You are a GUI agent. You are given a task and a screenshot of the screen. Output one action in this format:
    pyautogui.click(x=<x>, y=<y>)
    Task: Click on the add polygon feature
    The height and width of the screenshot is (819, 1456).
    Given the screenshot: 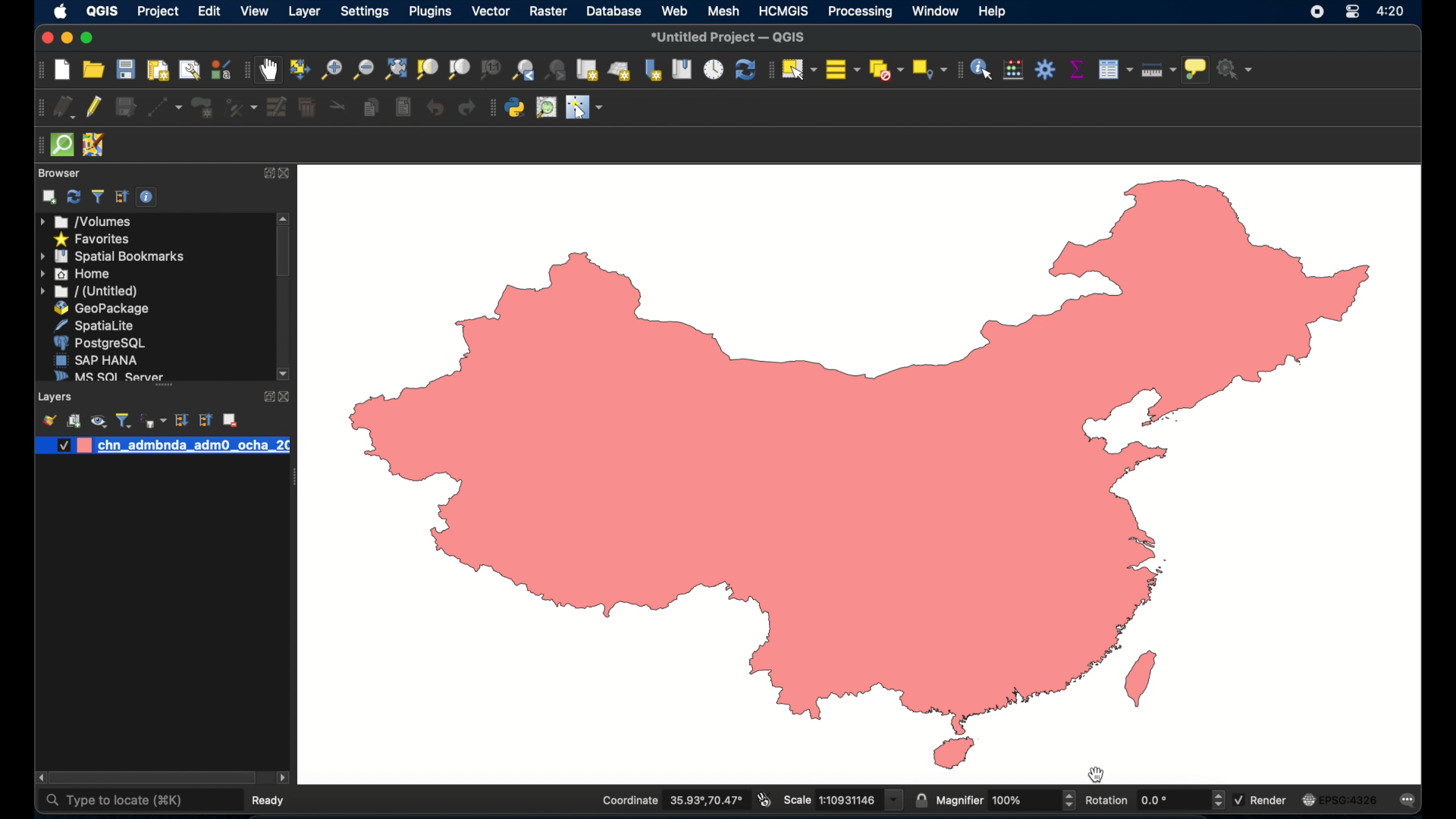 What is the action you would take?
    pyautogui.click(x=204, y=108)
    